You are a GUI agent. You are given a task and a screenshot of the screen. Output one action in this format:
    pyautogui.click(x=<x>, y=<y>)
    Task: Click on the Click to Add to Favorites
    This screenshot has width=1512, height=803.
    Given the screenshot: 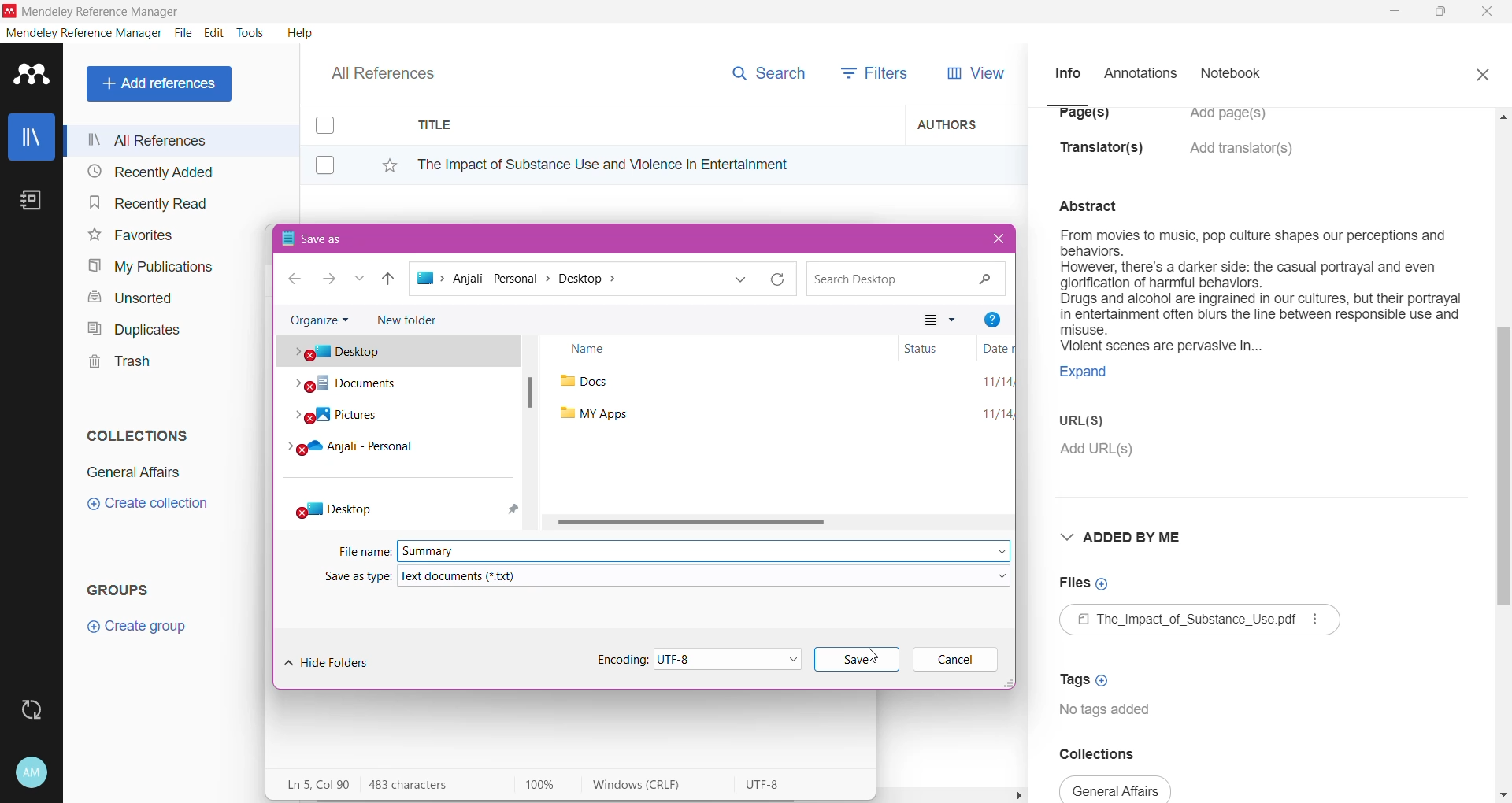 What is the action you would take?
    pyautogui.click(x=381, y=162)
    